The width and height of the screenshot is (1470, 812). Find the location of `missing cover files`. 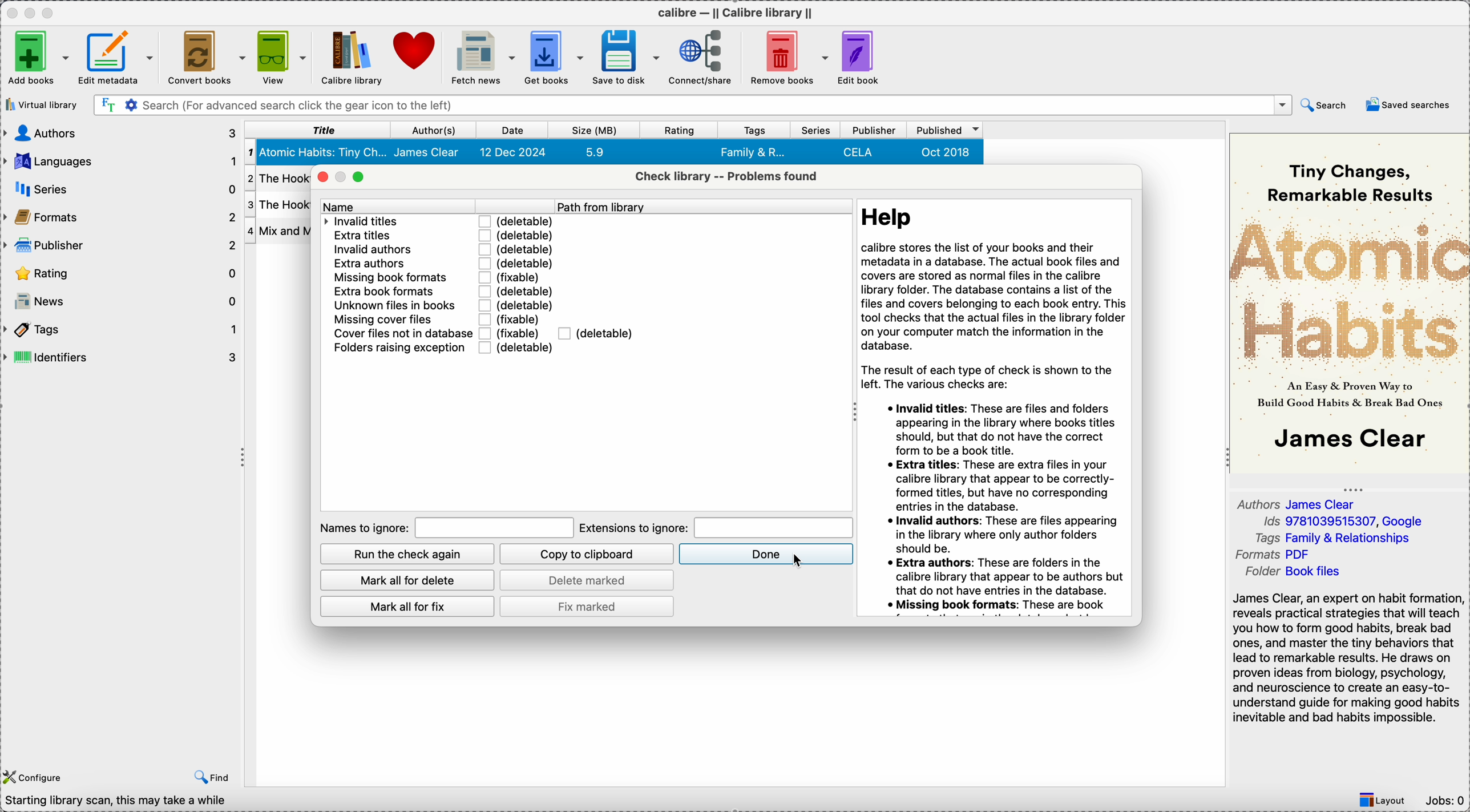

missing cover files is located at coordinates (399, 321).